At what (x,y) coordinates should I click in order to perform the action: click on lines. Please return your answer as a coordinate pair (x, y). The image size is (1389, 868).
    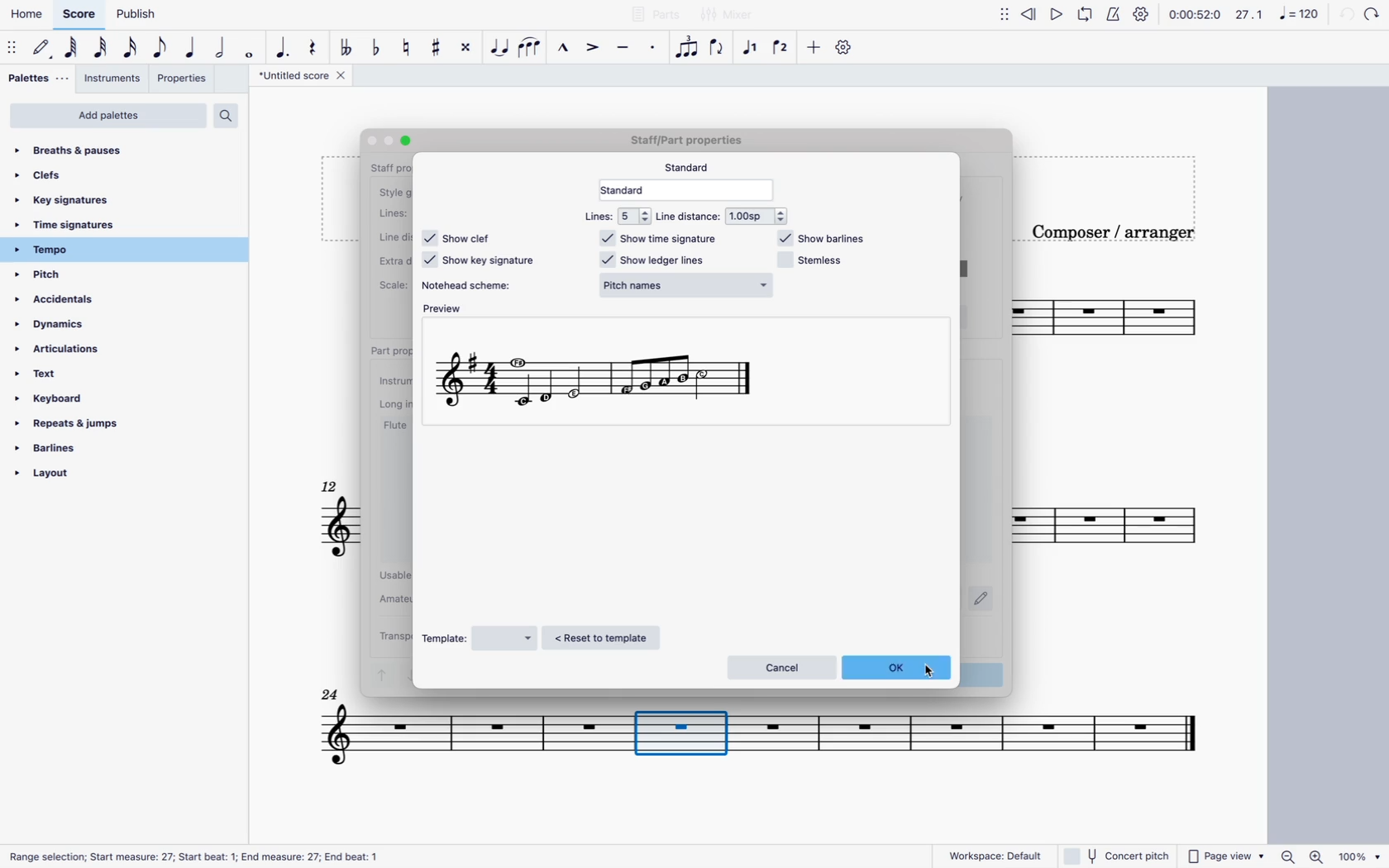
    Looking at the image, I should click on (613, 216).